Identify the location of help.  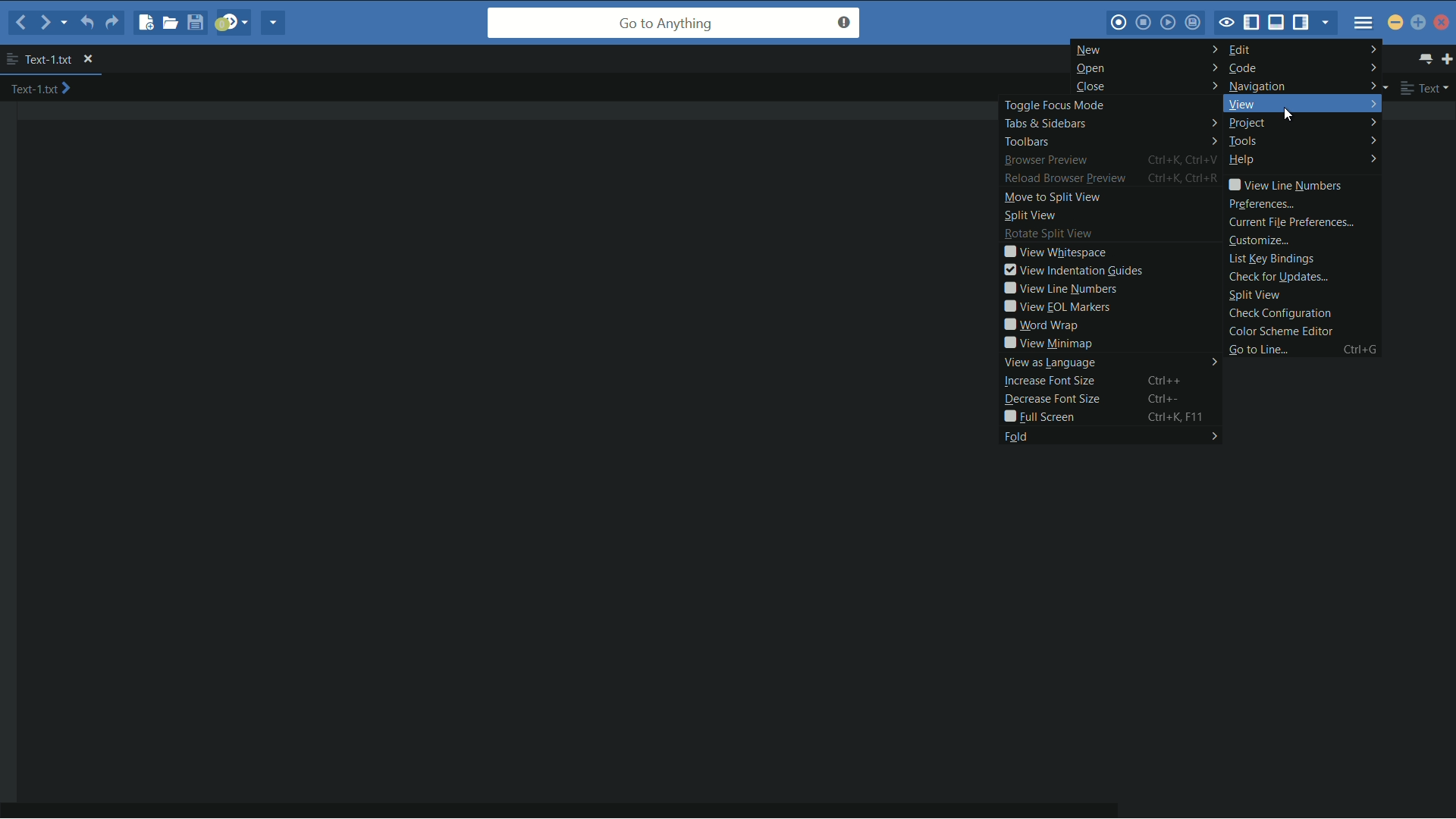
(1304, 161).